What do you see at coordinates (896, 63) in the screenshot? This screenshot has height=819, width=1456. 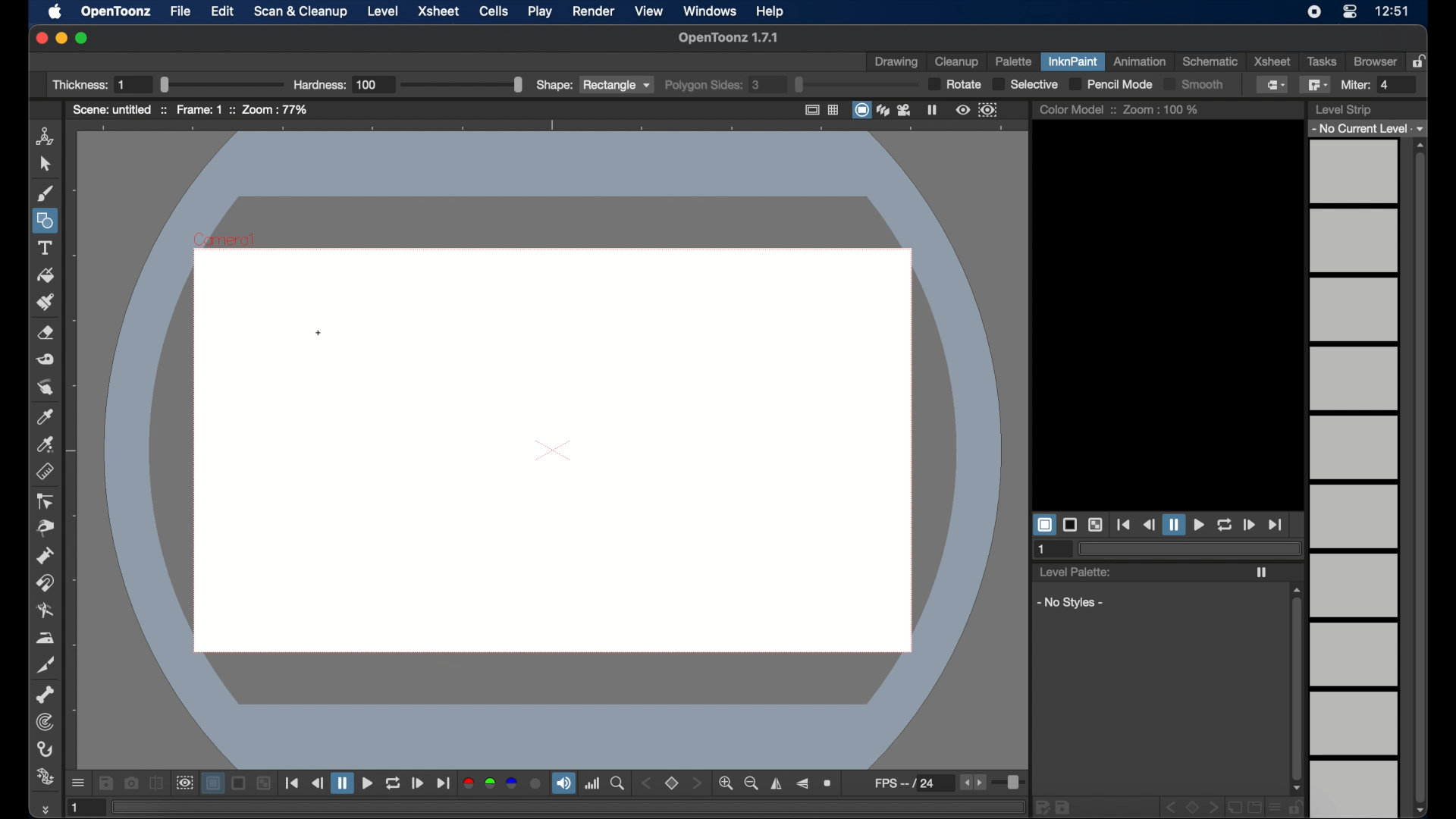 I see `drawing` at bounding box center [896, 63].